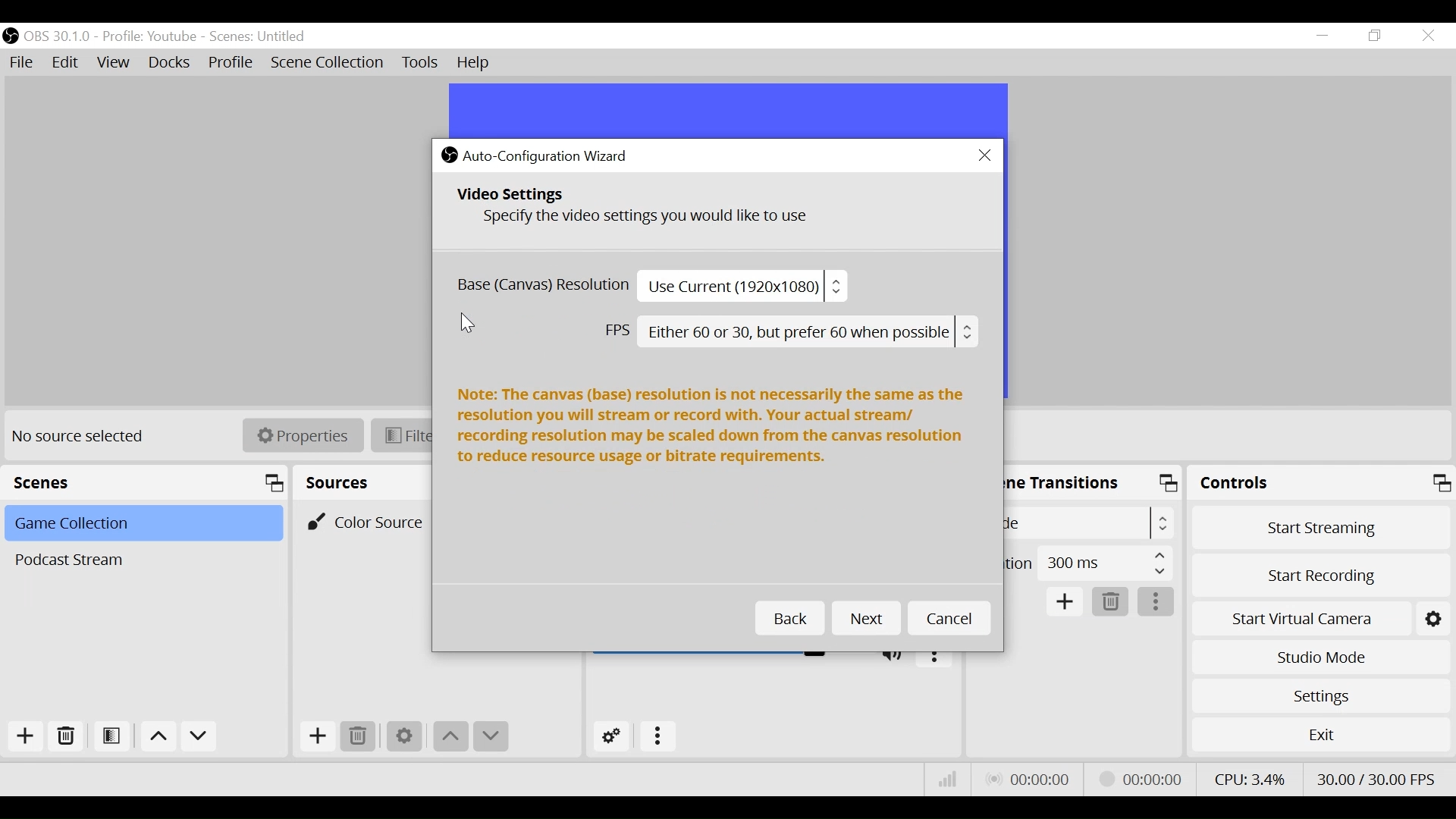 The image size is (1456, 819). Describe the element at coordinates (1112, 602) in the screenshot. I see `Delete ` at that location.